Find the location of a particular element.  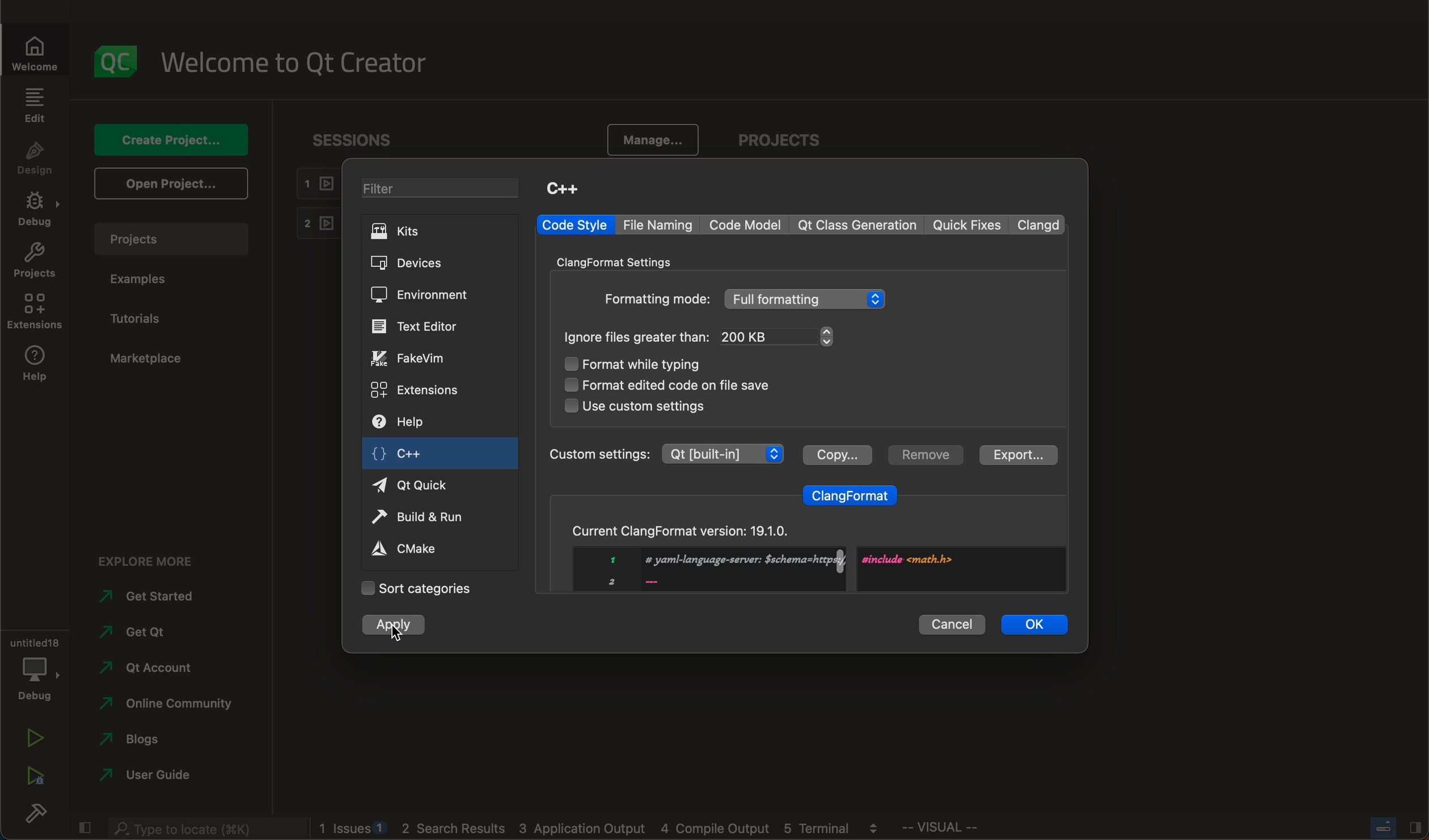

visual is located at coordinates (969, 830).